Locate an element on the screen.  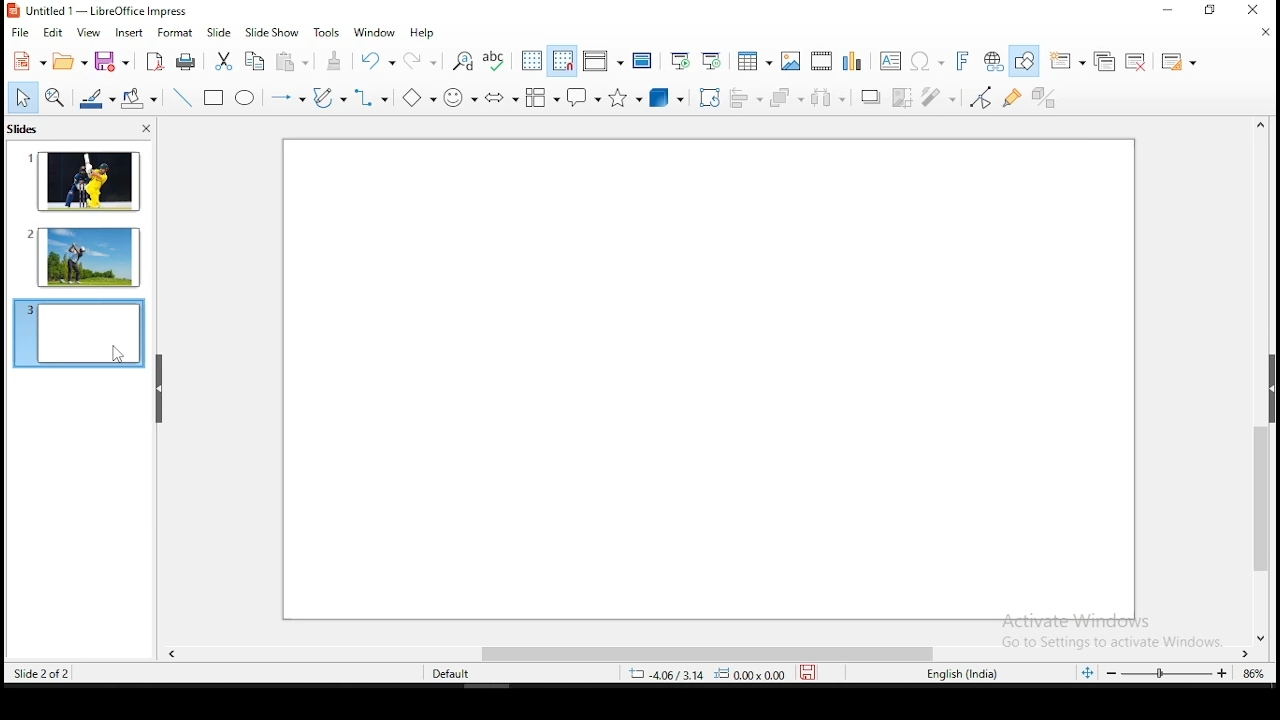
slide is located at coordinates (708, 379).